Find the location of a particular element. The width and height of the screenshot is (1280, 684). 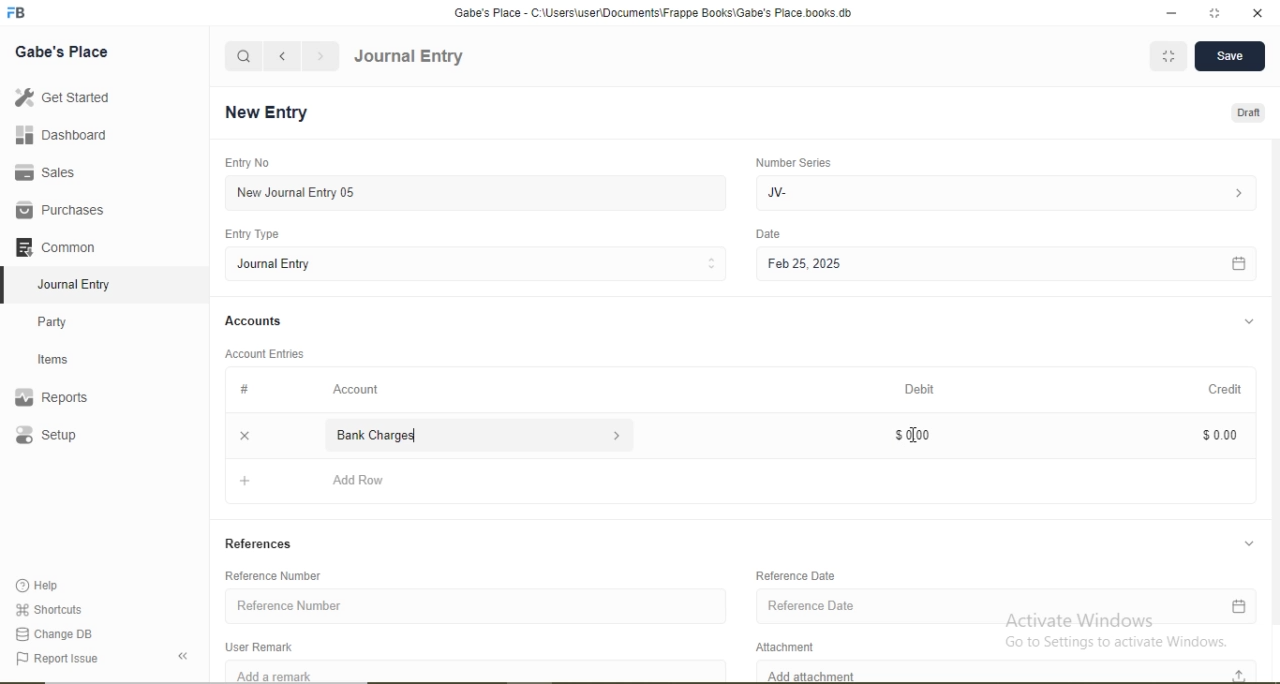

close is located at coordinates (242, 434).